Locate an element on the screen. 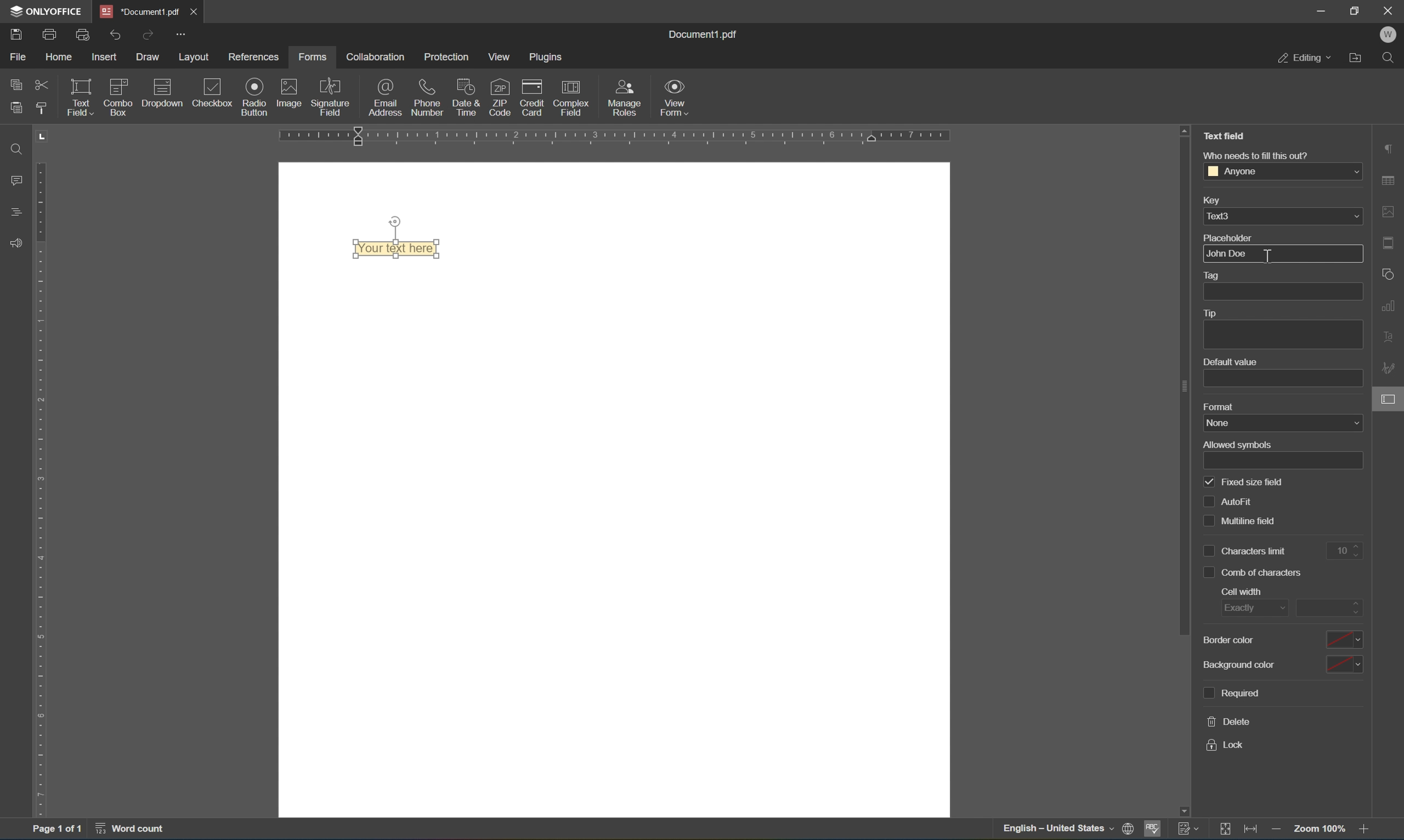 This screenshot has height=840, width=1404. collaboration is located at coordinates (378, 57).